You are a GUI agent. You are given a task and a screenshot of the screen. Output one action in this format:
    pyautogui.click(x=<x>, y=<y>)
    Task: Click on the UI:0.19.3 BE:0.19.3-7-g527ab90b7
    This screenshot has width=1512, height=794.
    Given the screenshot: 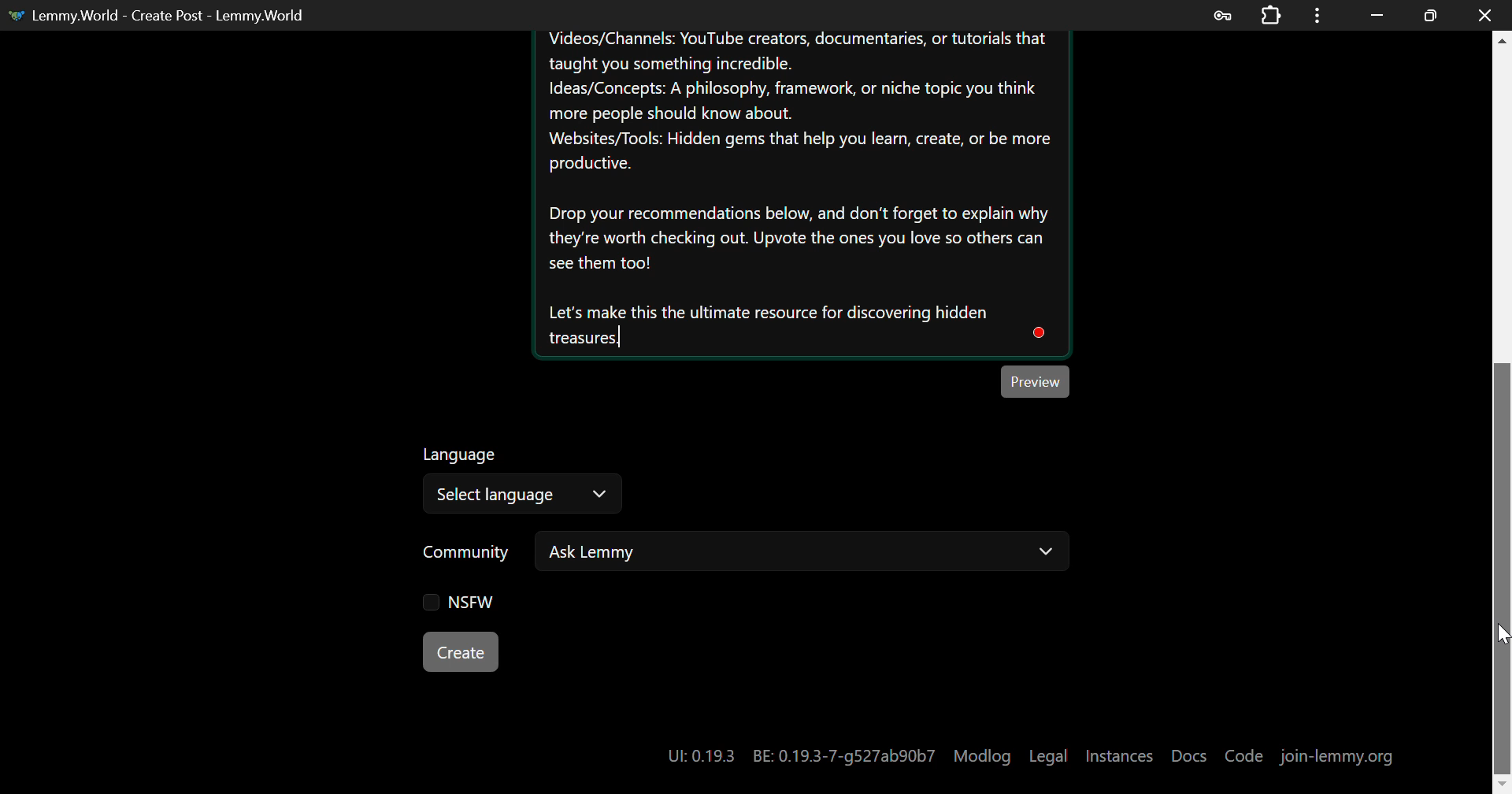 What is the action you would take?
    pyautogui.click(x=799, y=756)
    